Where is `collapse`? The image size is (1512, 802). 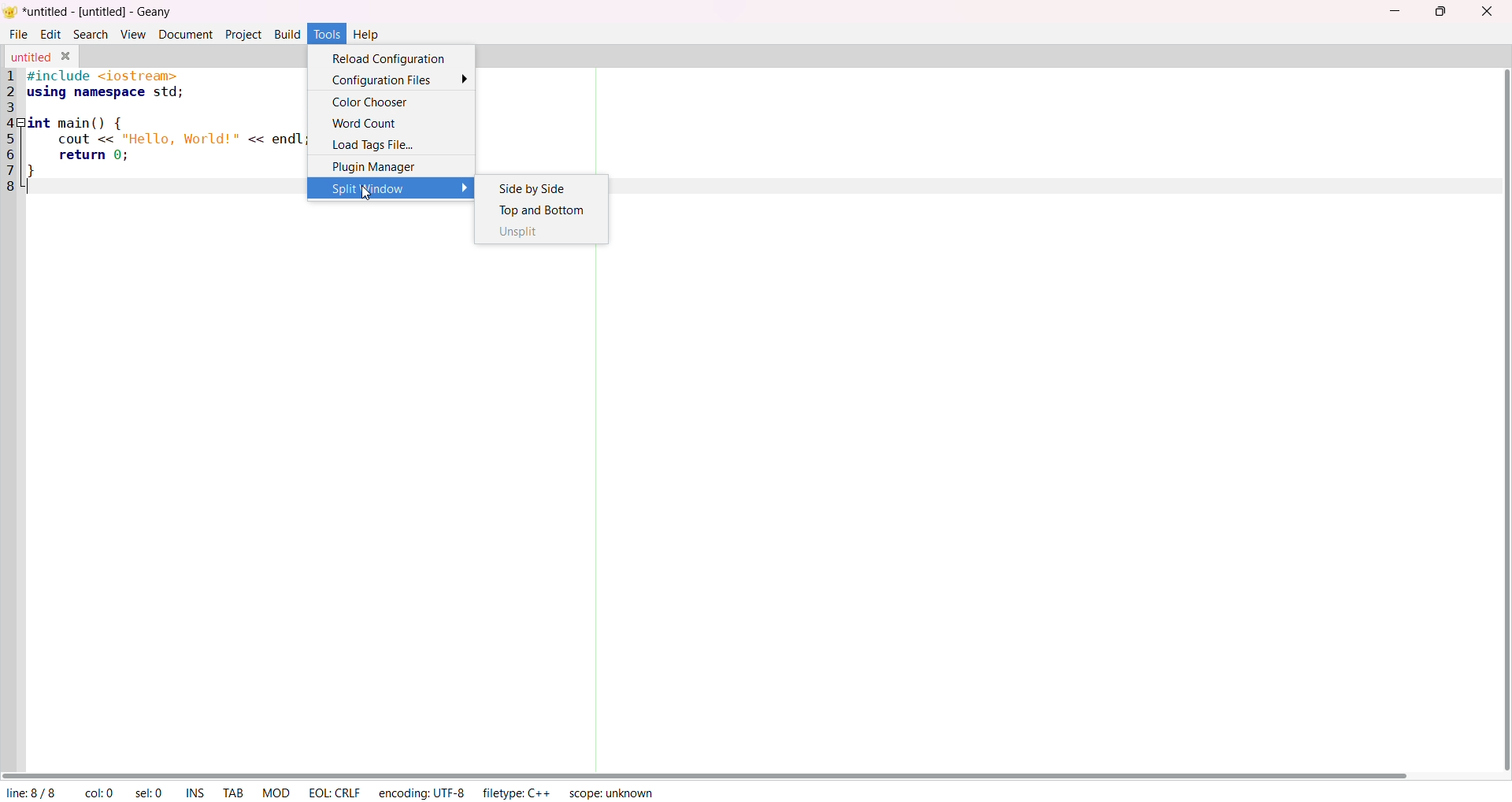 collapse is located at coordinates (20, 124).